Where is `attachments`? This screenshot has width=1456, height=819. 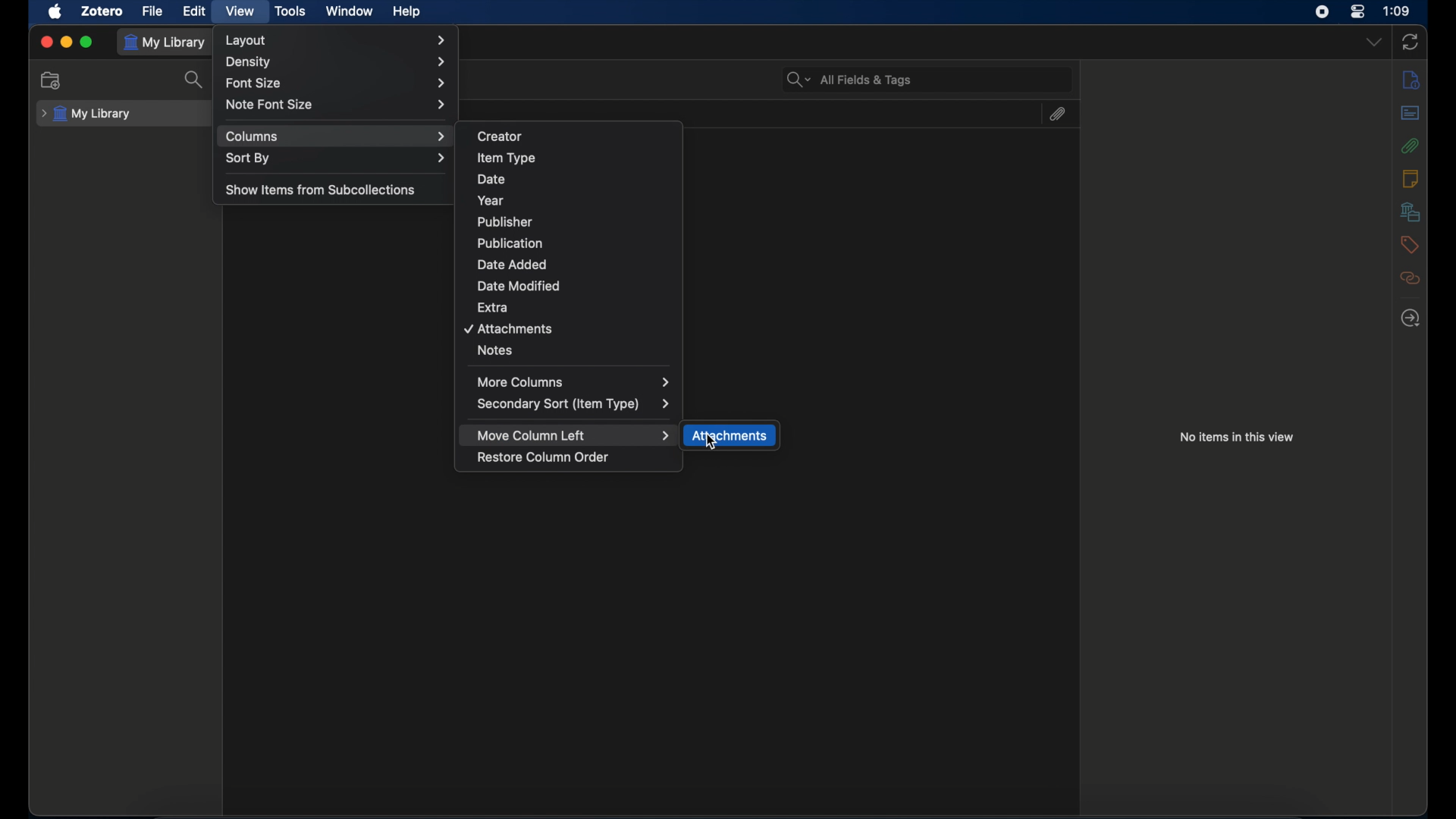 attachments is located at coordinates (510, 329).